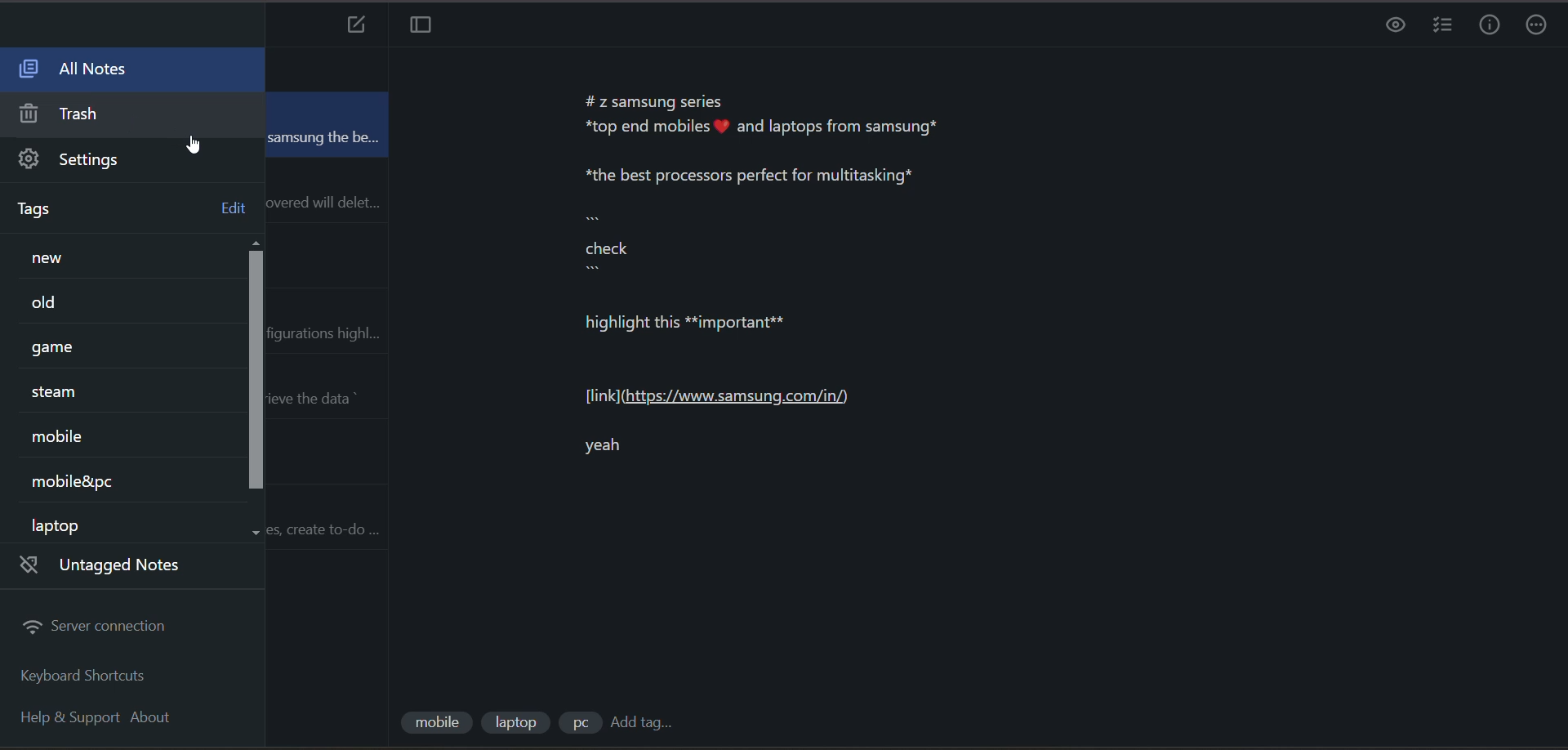 The width and height of the screenshot is (1568, 750). I want to click on actions, so click(1542, 25).